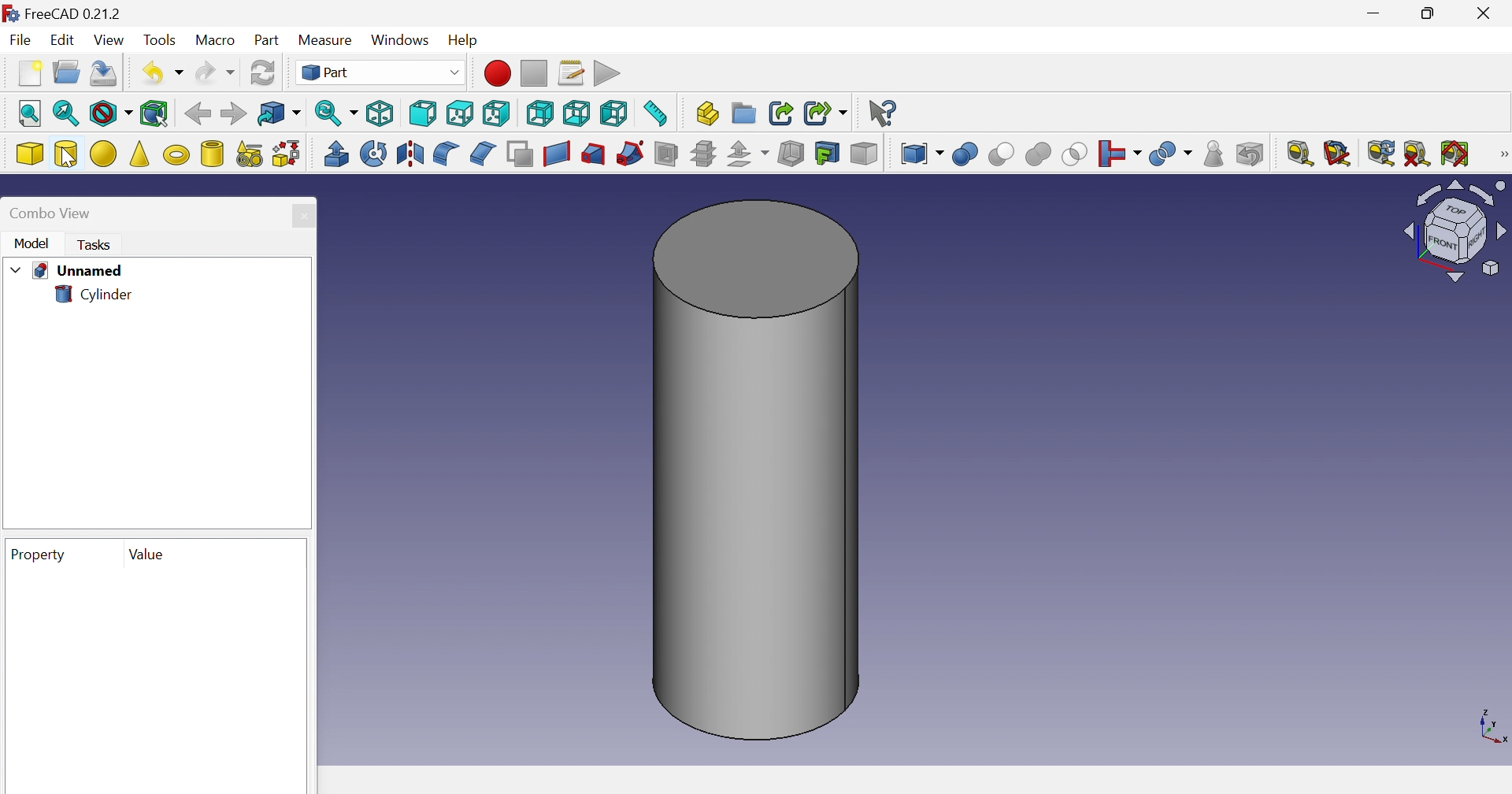 The height and width of the screenshot is (794, 1512). Describe the element at coordinates (163, 72) in the screenshot. I see `Undo` at that location.